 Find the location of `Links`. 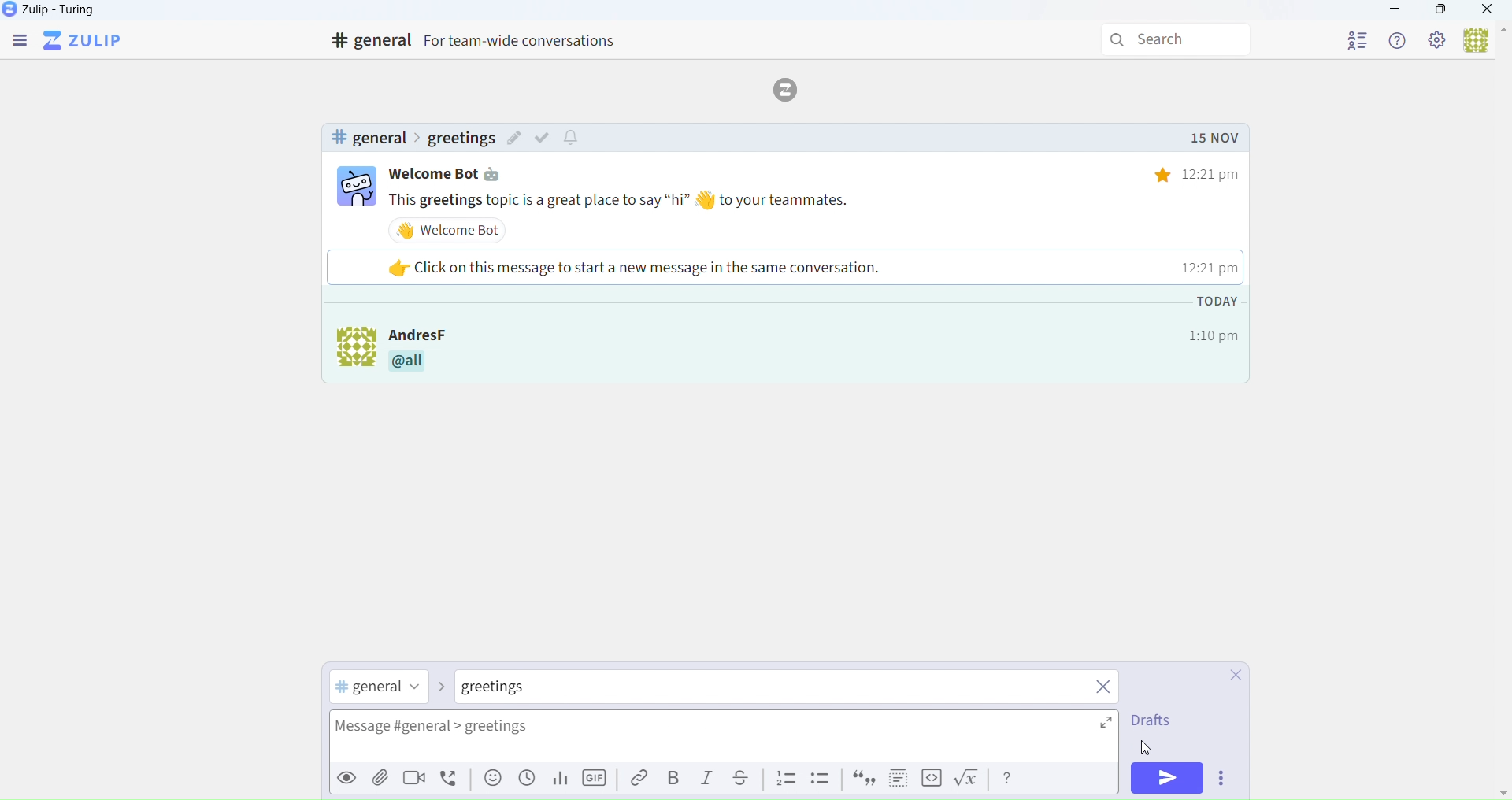

Links is located at coordinates (635, 779).